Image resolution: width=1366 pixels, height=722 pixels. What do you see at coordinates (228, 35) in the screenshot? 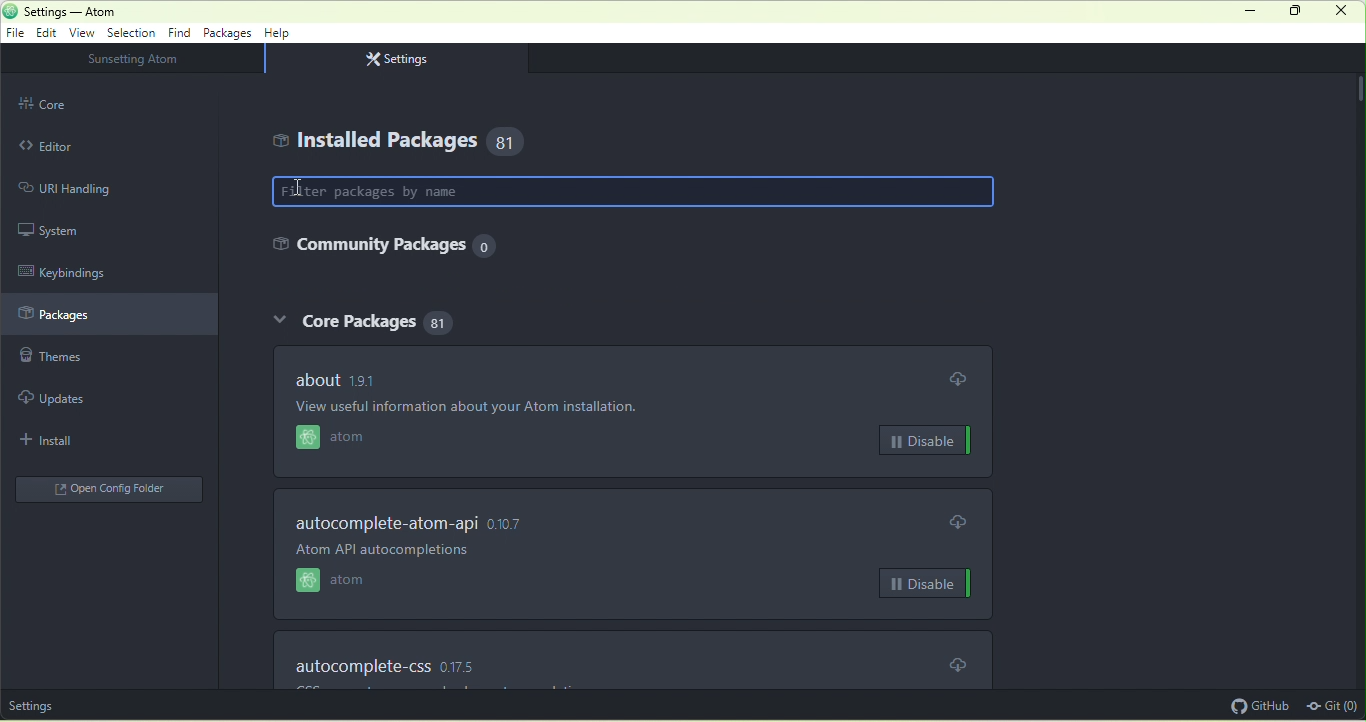
I see `packages` at bounding box center [228, 35].